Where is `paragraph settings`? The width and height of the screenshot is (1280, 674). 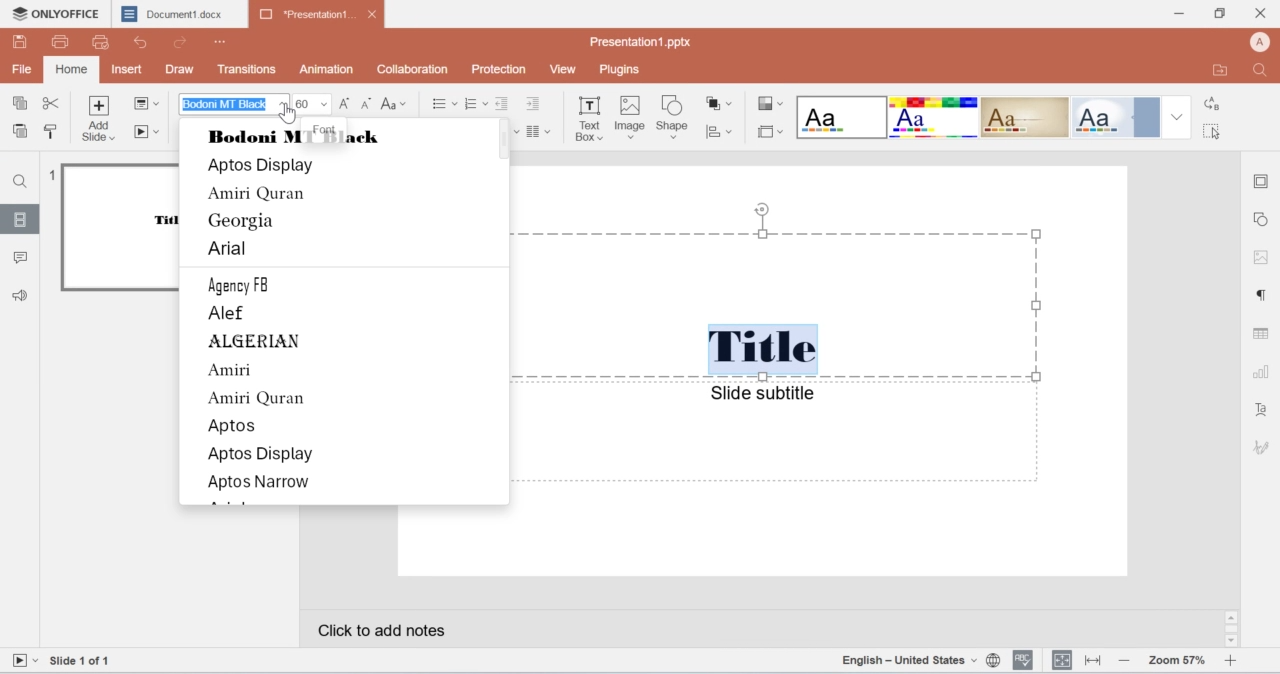 paragraph settings is located at coordinates (1259, 295).